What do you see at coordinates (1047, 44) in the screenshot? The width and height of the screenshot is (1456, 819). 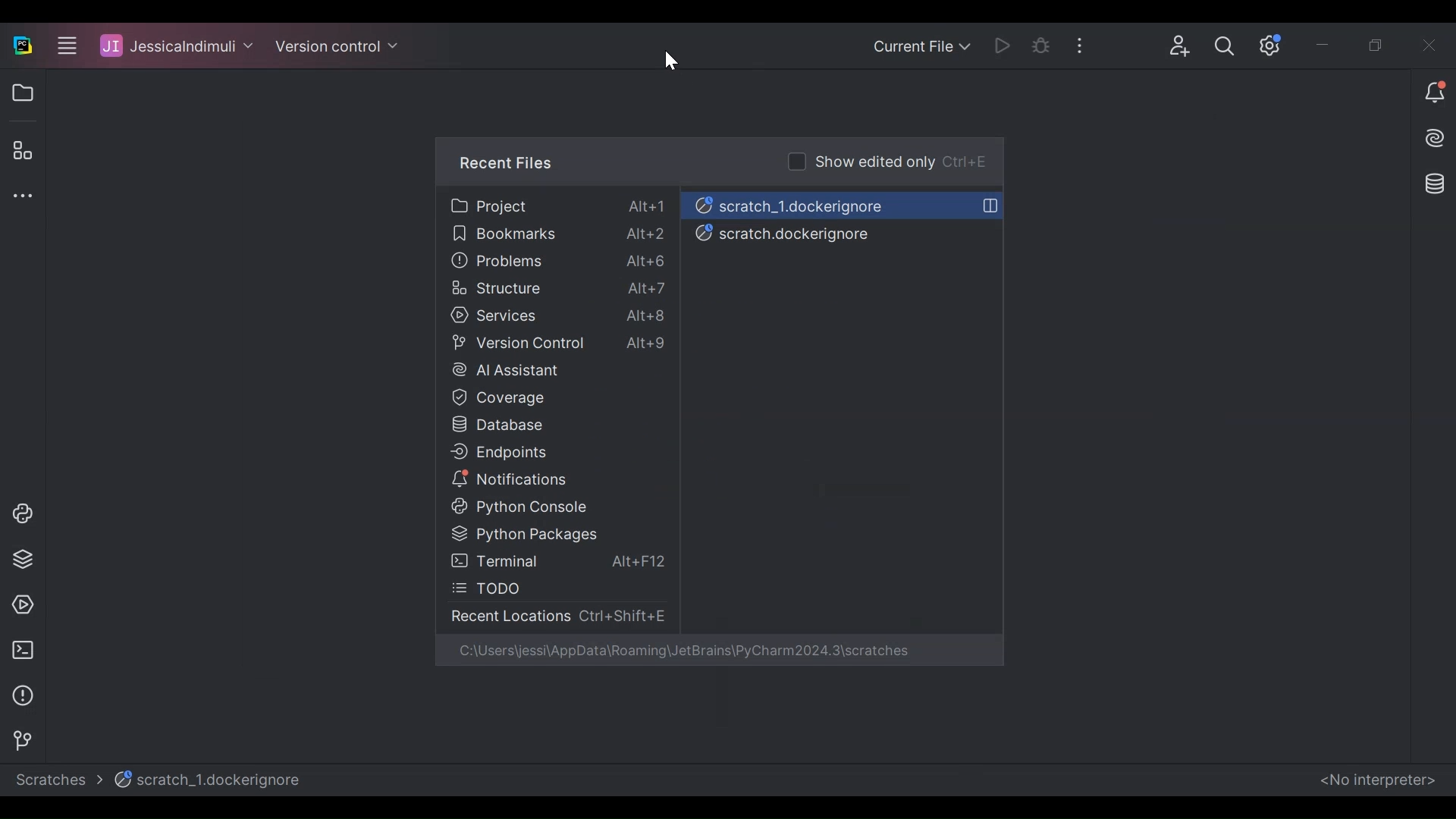 I see `` at bounding box center [1047, 44].